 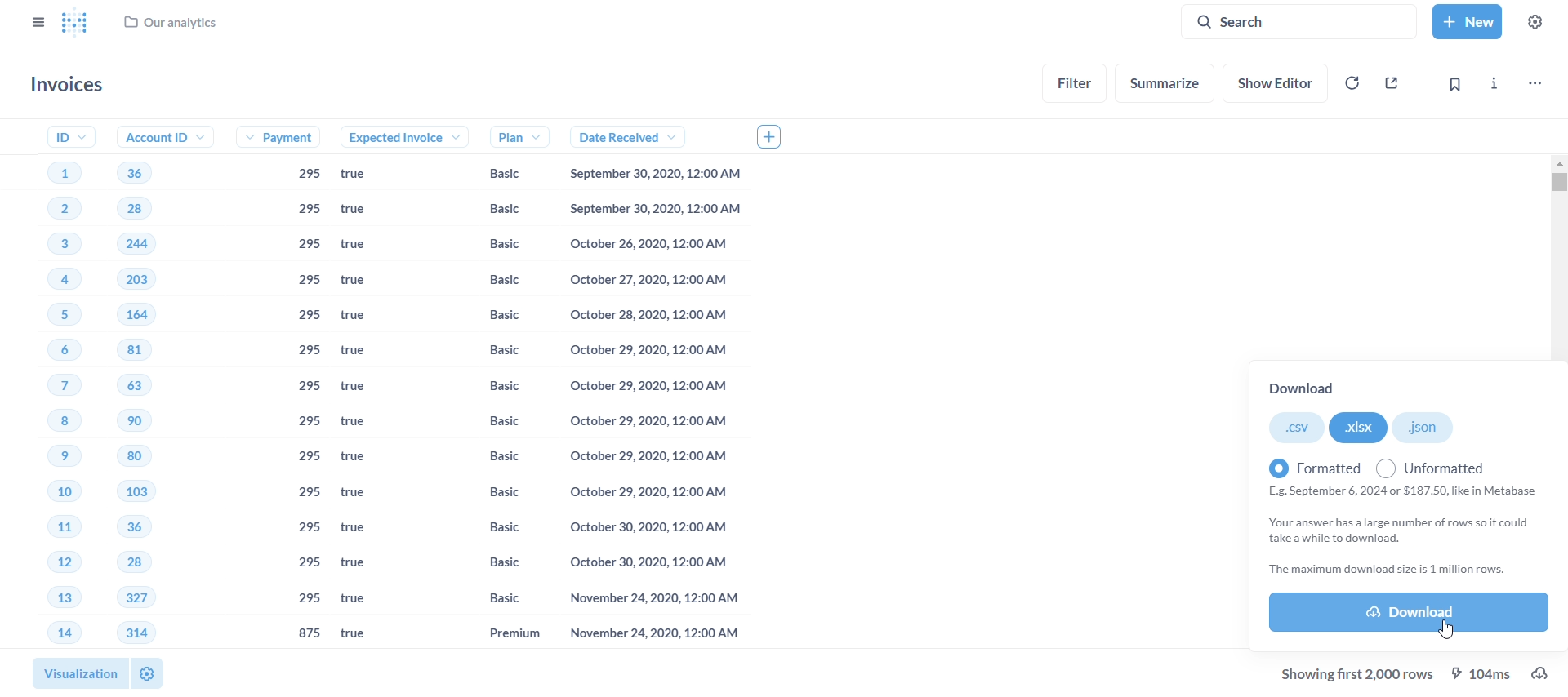 I want to click on 36, so click(x=127, y=526).